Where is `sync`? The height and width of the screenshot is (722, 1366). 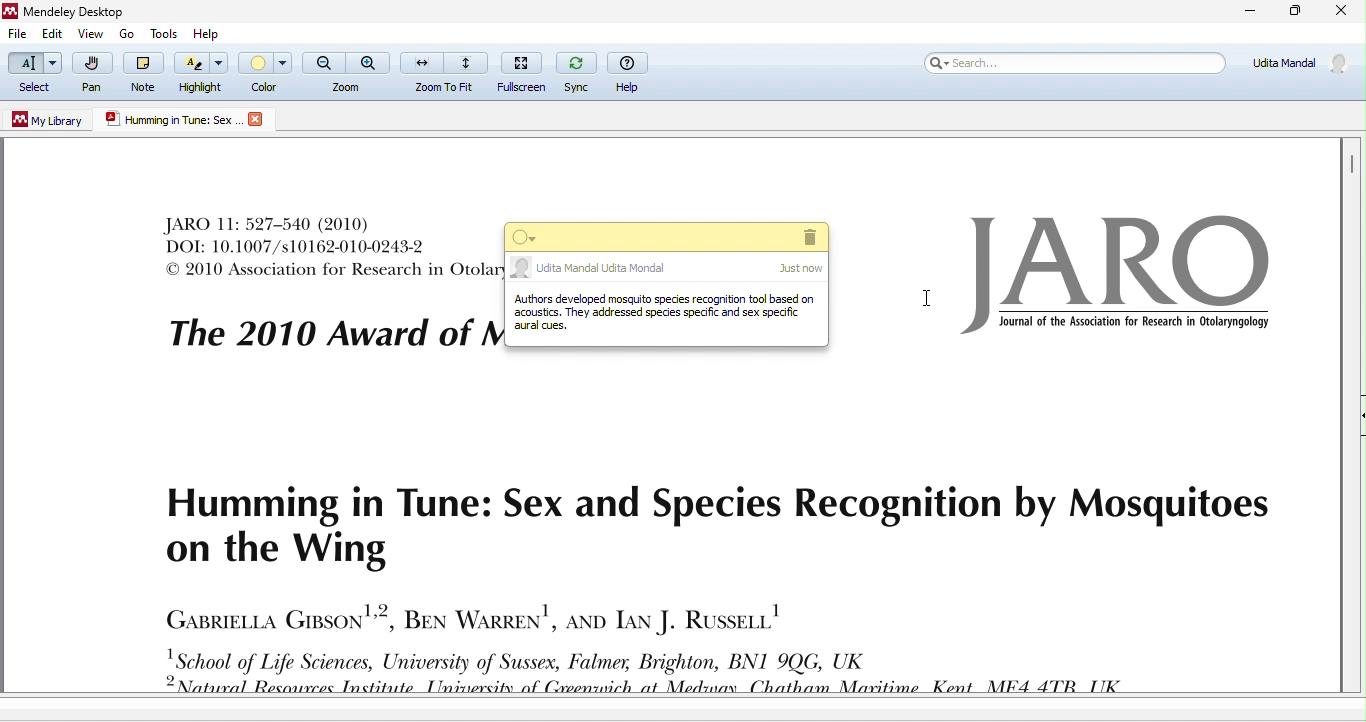 sync is located at coordinates (578, 72).